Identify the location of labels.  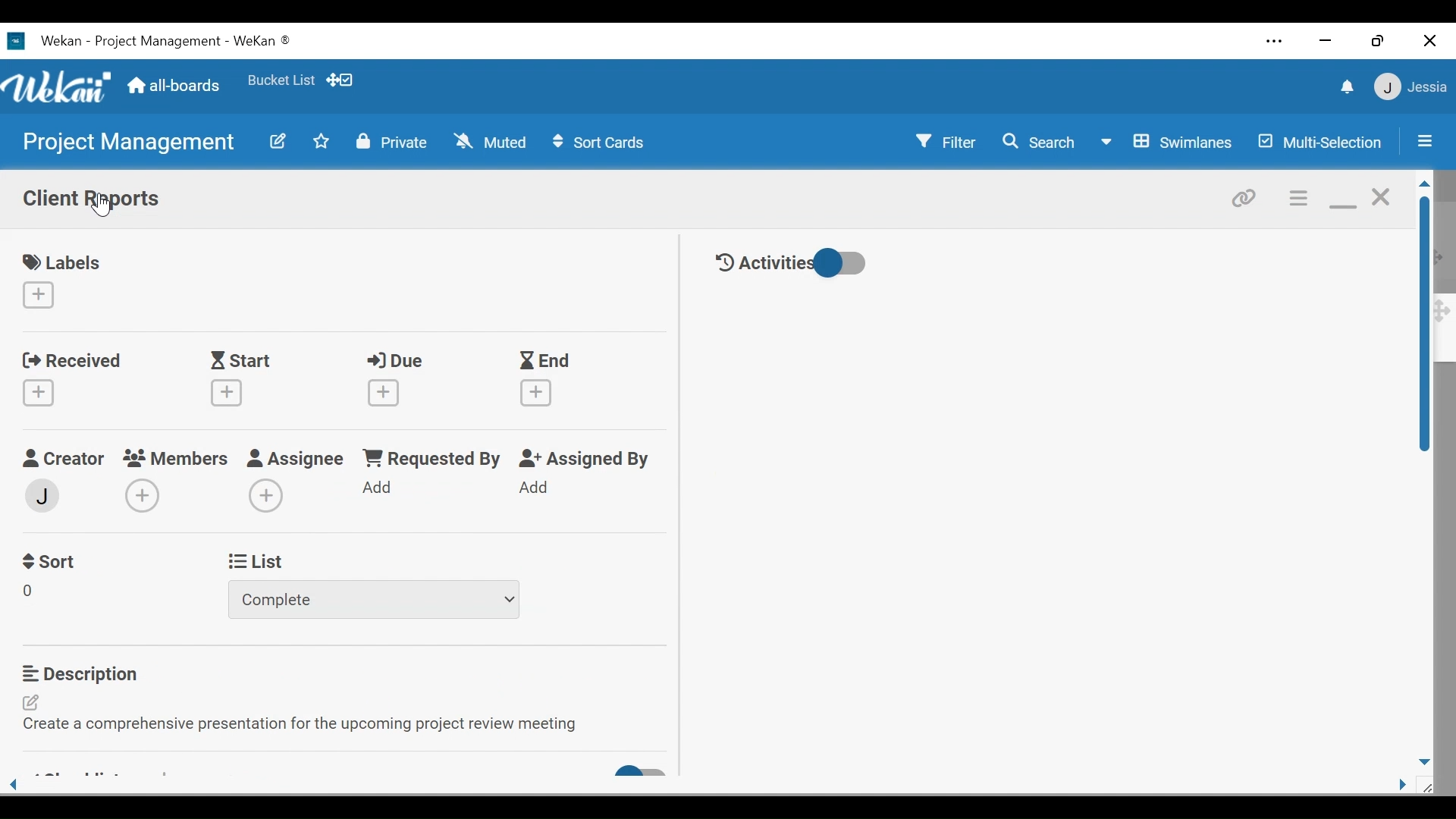
(62, 260).